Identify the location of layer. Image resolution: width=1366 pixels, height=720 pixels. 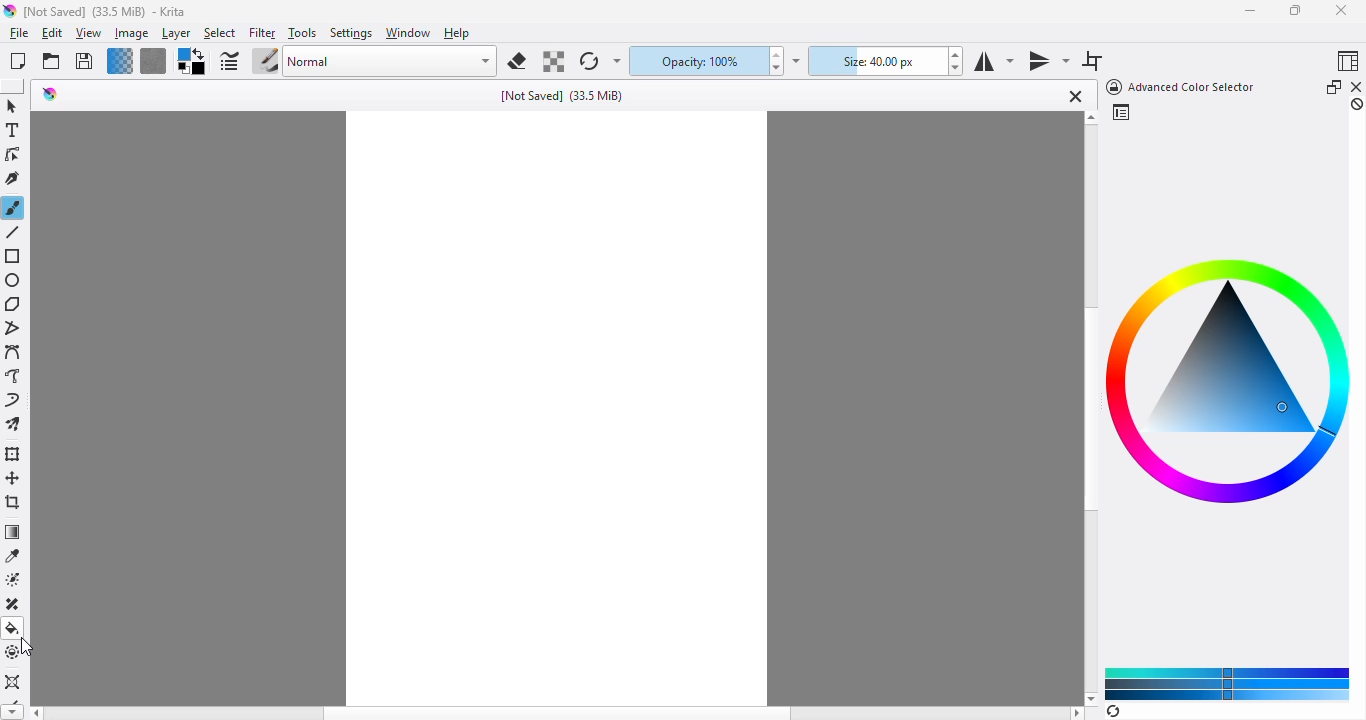
(176, 34).